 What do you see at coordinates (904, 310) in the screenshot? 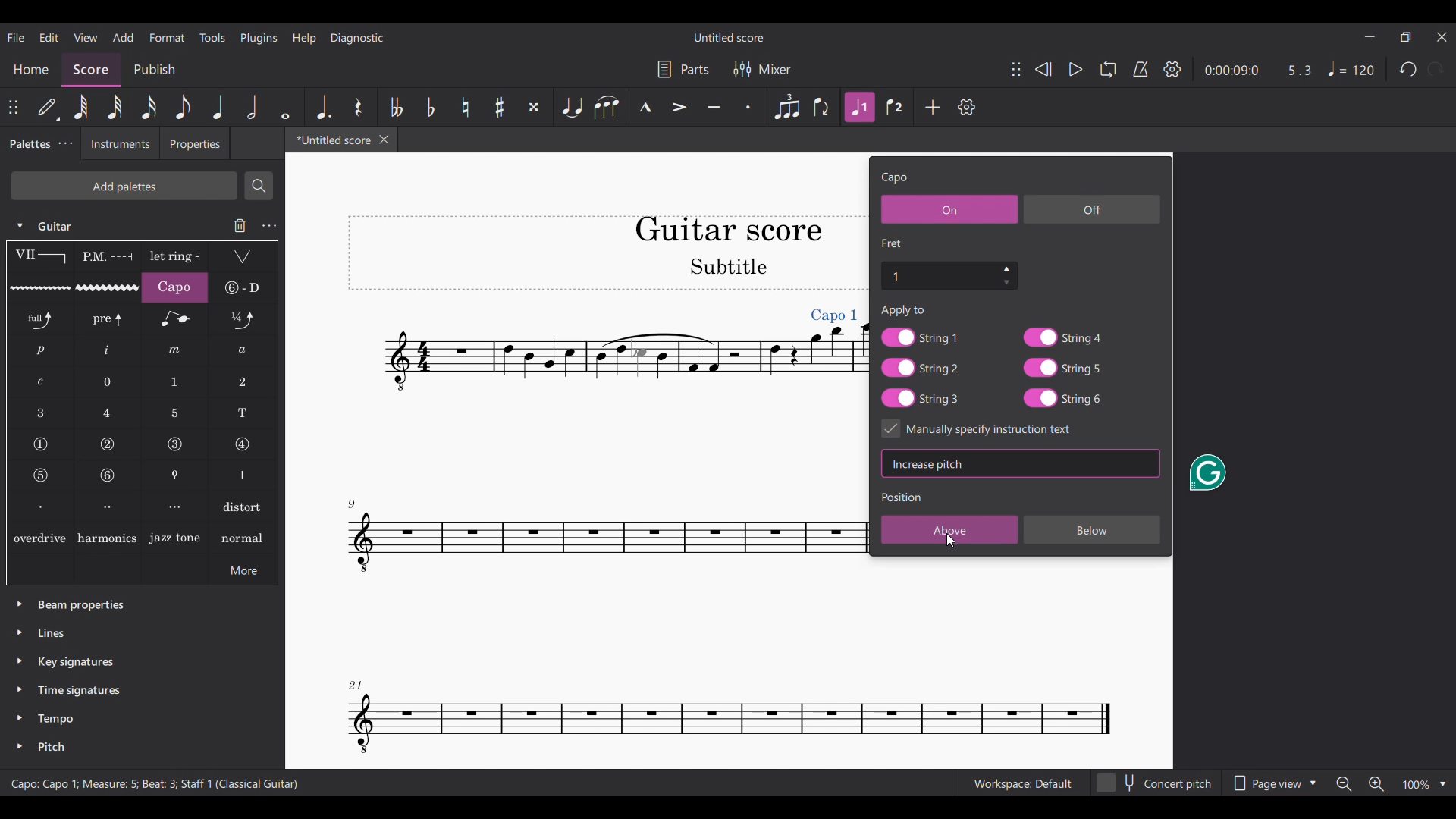
I see `Text` at bounding box center [904, 310].